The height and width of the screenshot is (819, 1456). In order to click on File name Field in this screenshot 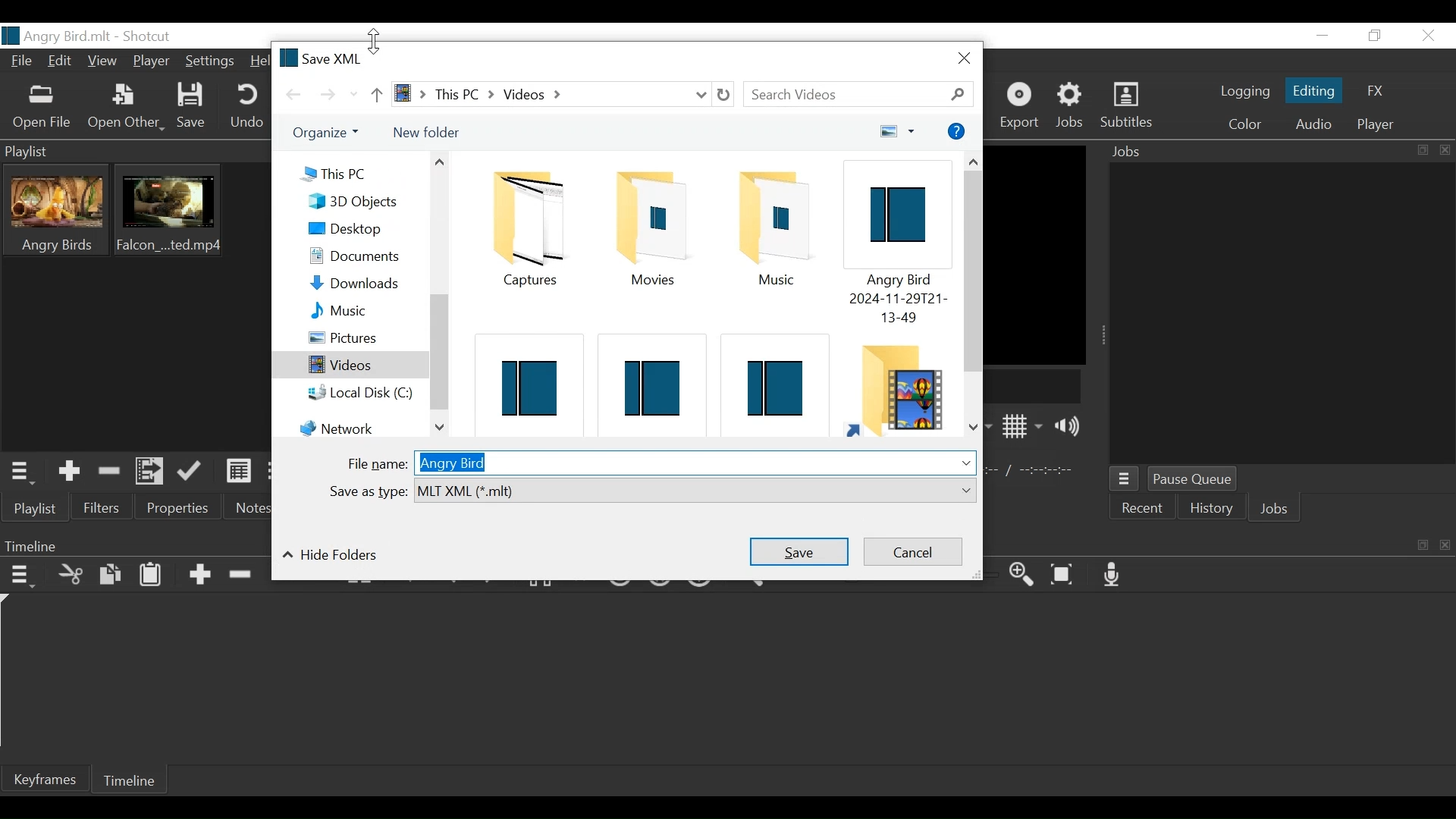, I will do `click(695, 461)`.